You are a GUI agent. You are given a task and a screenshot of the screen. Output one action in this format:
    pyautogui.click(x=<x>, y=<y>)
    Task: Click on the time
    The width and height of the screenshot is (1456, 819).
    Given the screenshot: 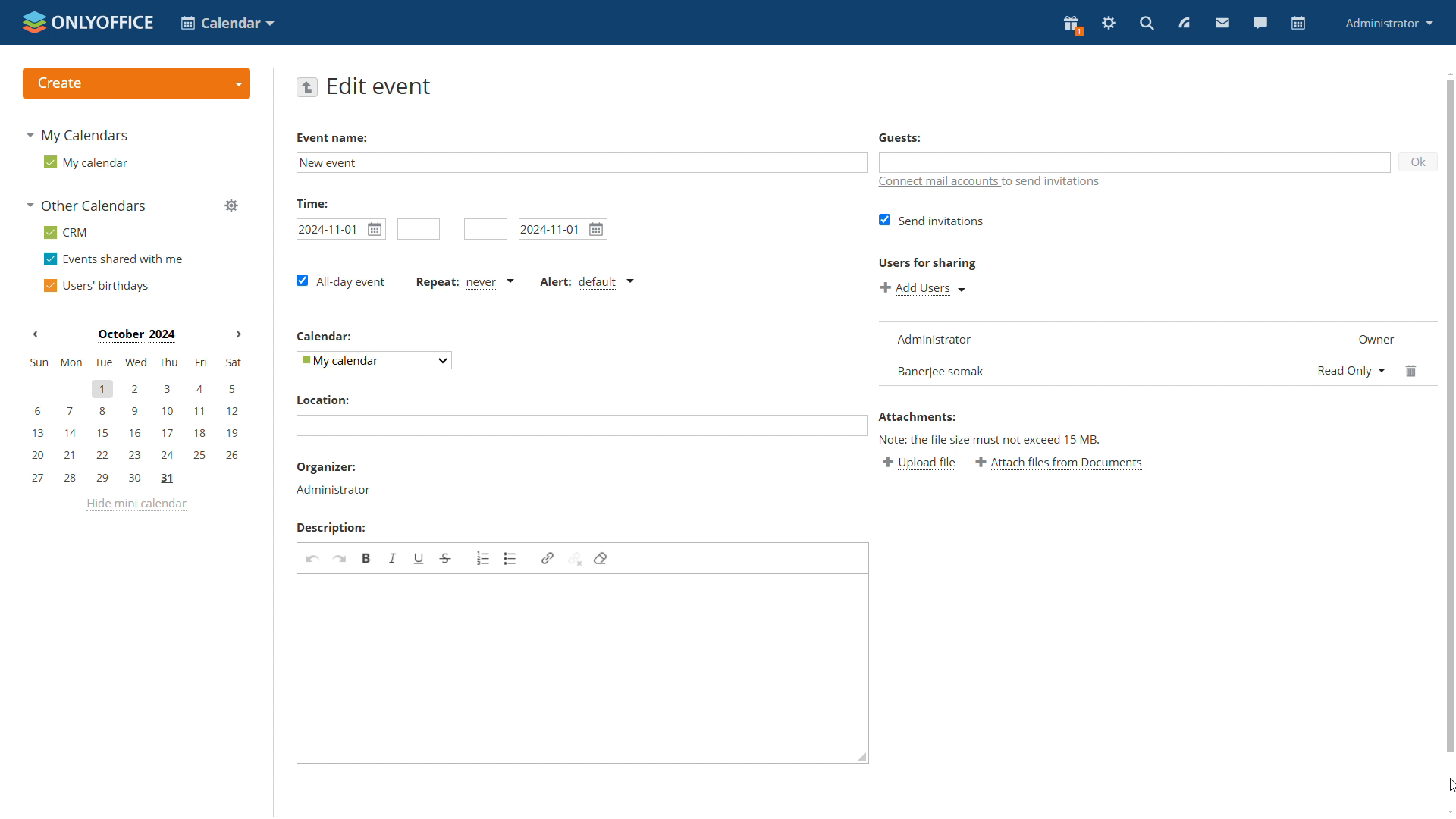 What is the action you would take?
    pyautogui.click(x=314, y=205)
    